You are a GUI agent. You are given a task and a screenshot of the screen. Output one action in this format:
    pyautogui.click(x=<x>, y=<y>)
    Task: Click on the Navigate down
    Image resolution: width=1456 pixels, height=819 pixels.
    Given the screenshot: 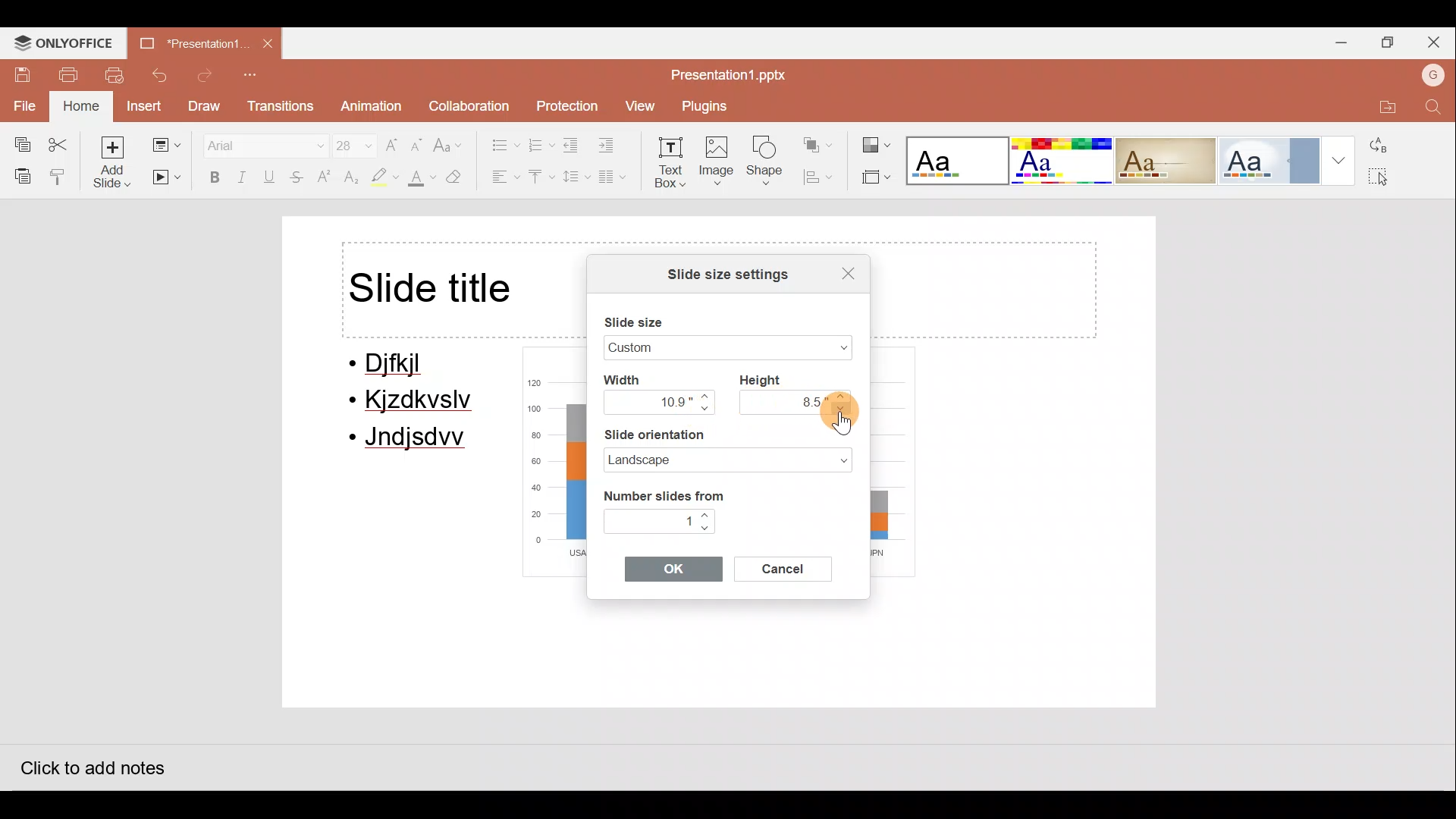 What is the action you would take?
    pyautogui.click(x=708, y=529)
    